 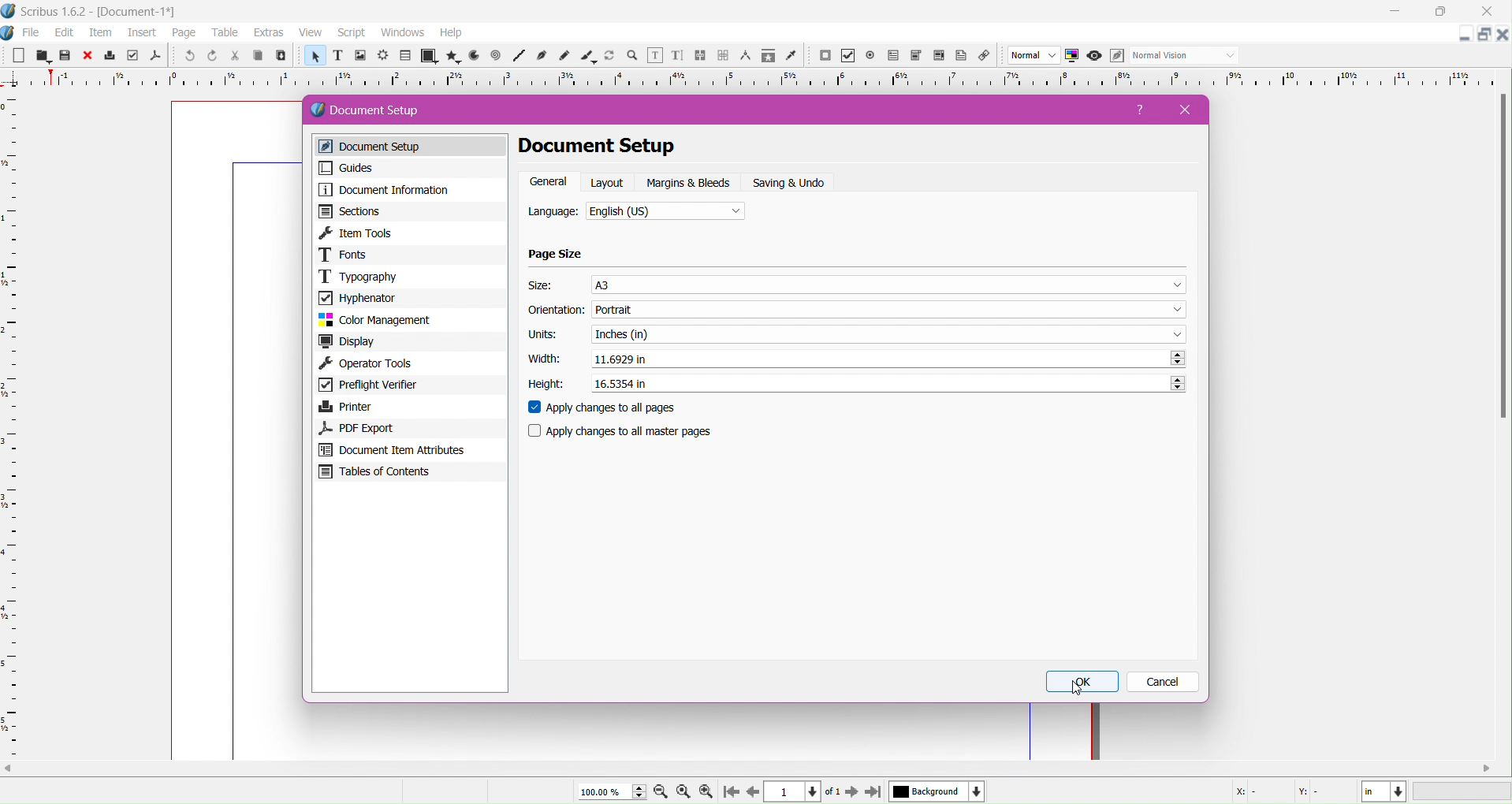 What do you see at coordinates (110, 56) in the screenshot?
I see `print` at bounding box center [110, 56].